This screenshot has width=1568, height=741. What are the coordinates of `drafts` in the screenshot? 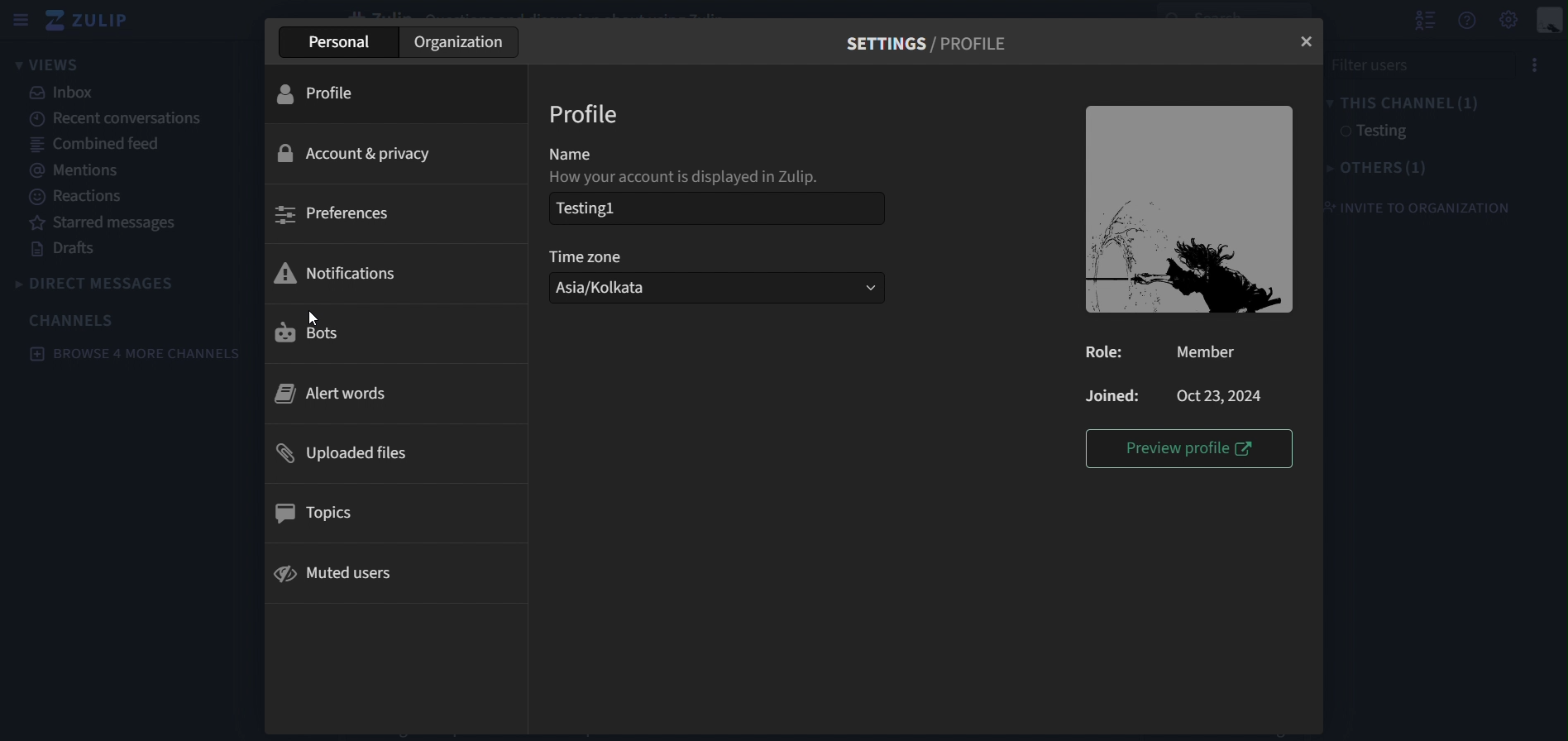 It's located at (69, 250).